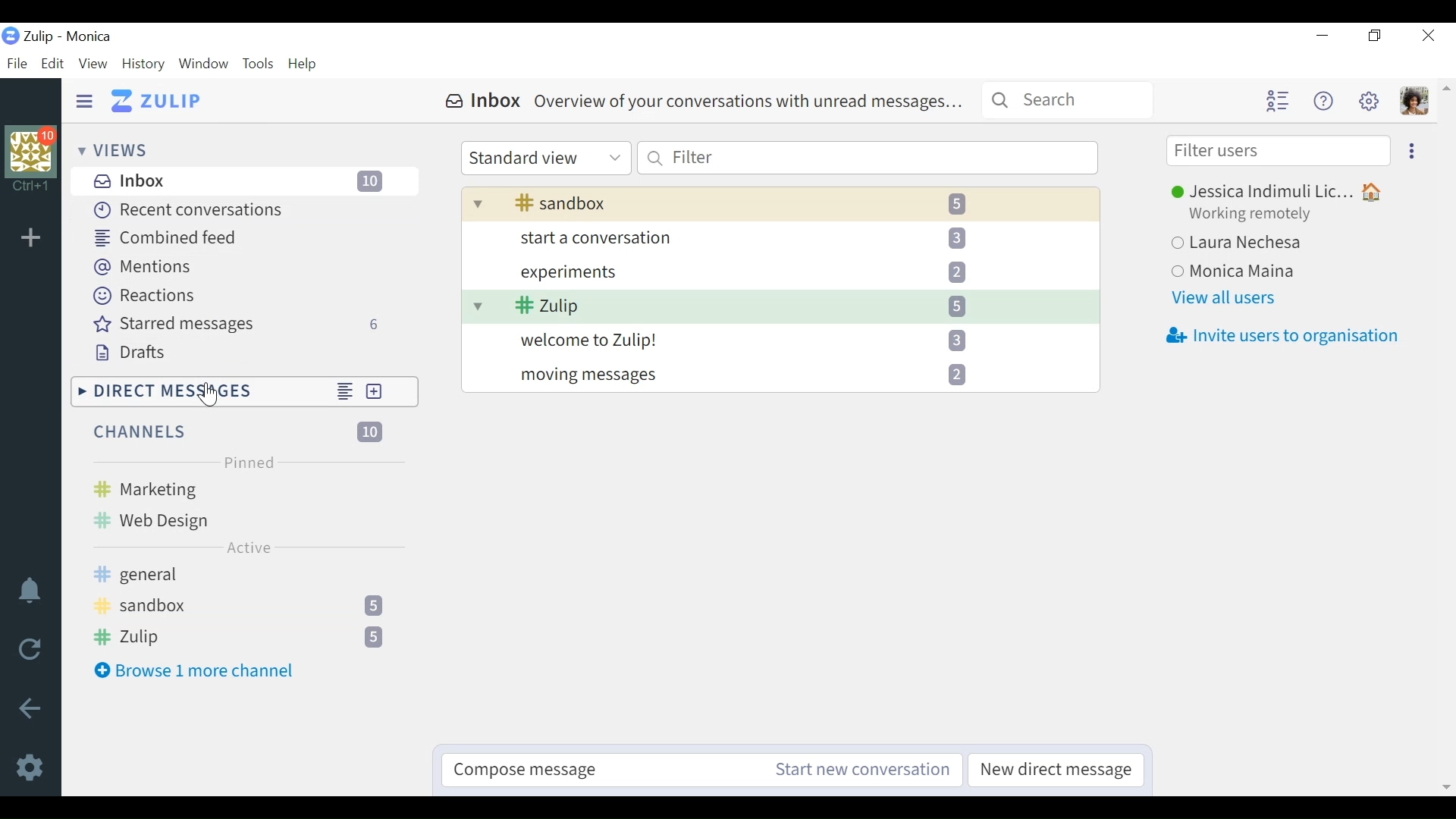 Image resolution: width=1456 pixels, height=819 pixels. Describe the element at coordinates (93, 63) in the screenshot. I see `View` at that location.